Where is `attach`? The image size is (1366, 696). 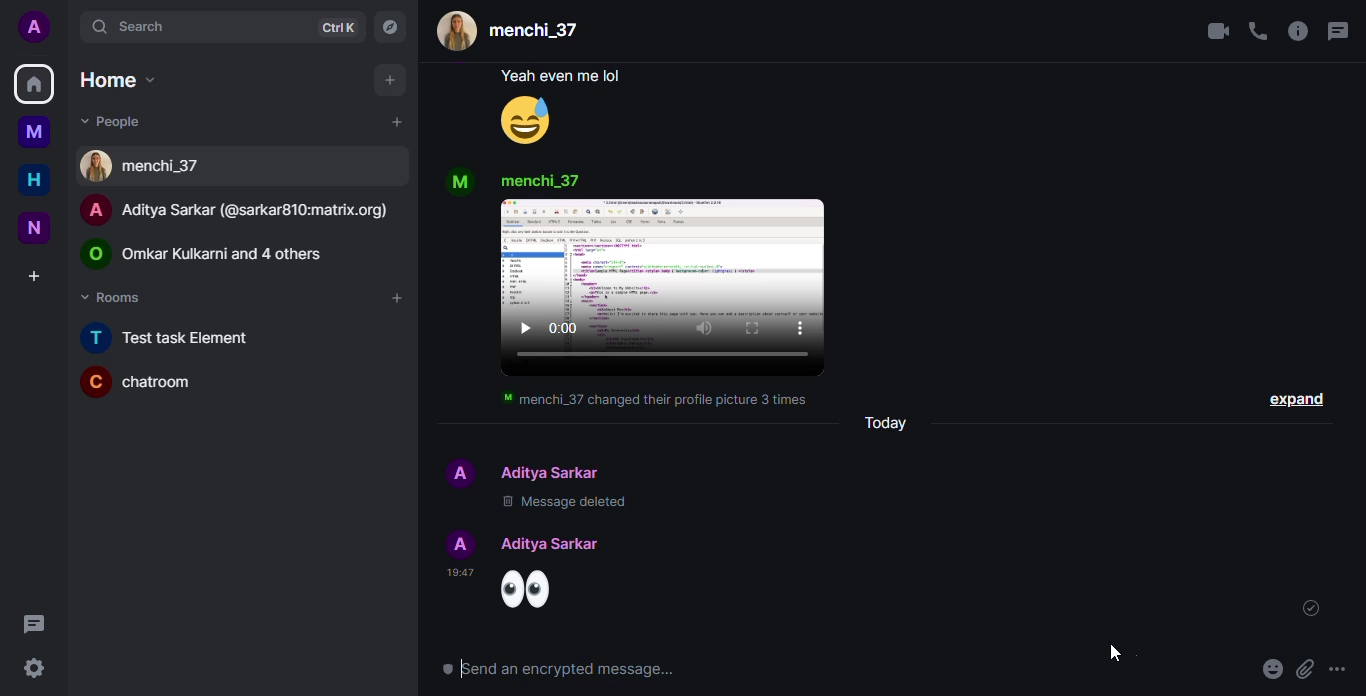
attach is located at coordinates (1306, 666).